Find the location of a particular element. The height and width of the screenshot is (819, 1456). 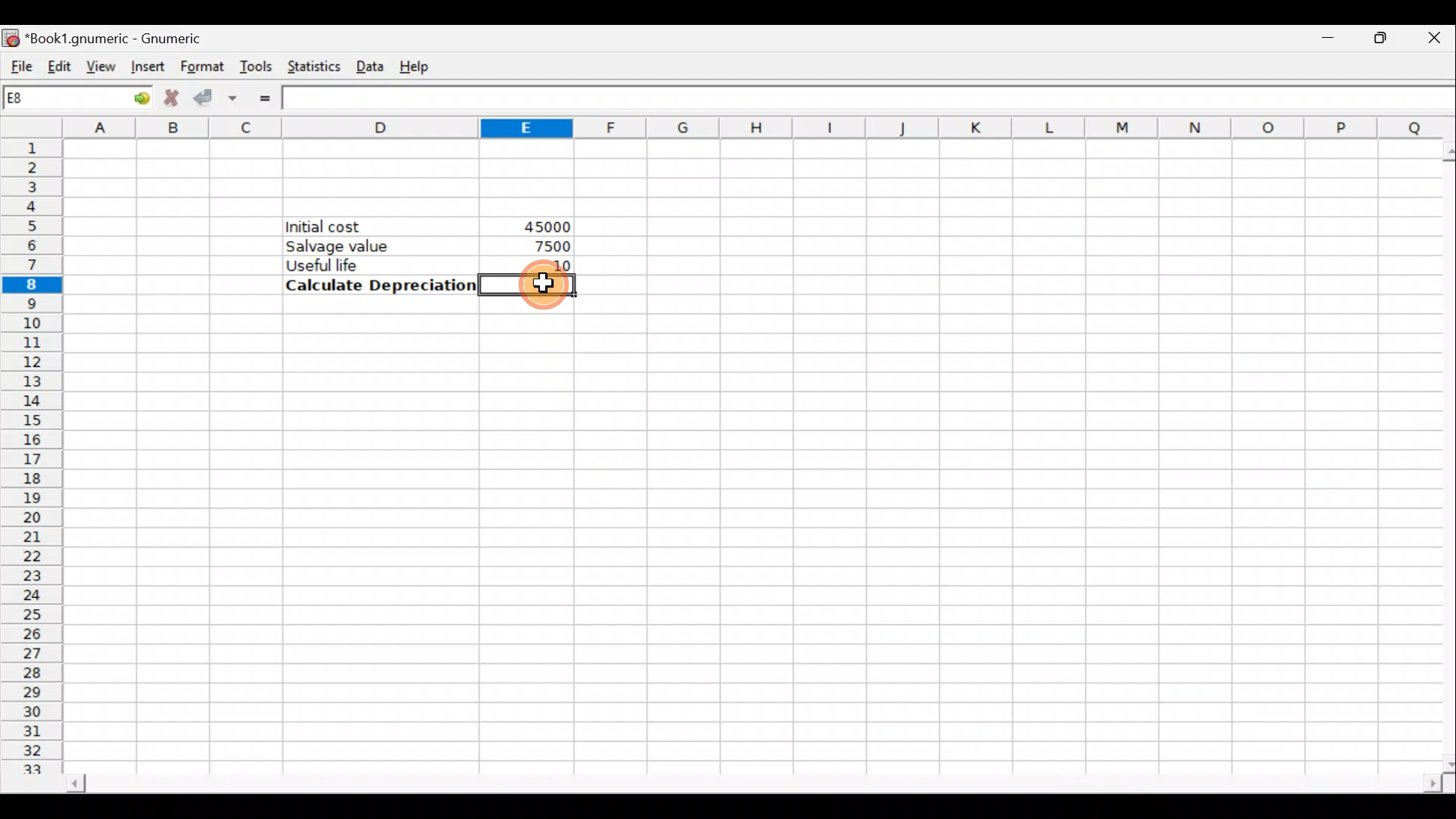

Close is located at coordinates (1425, 42).